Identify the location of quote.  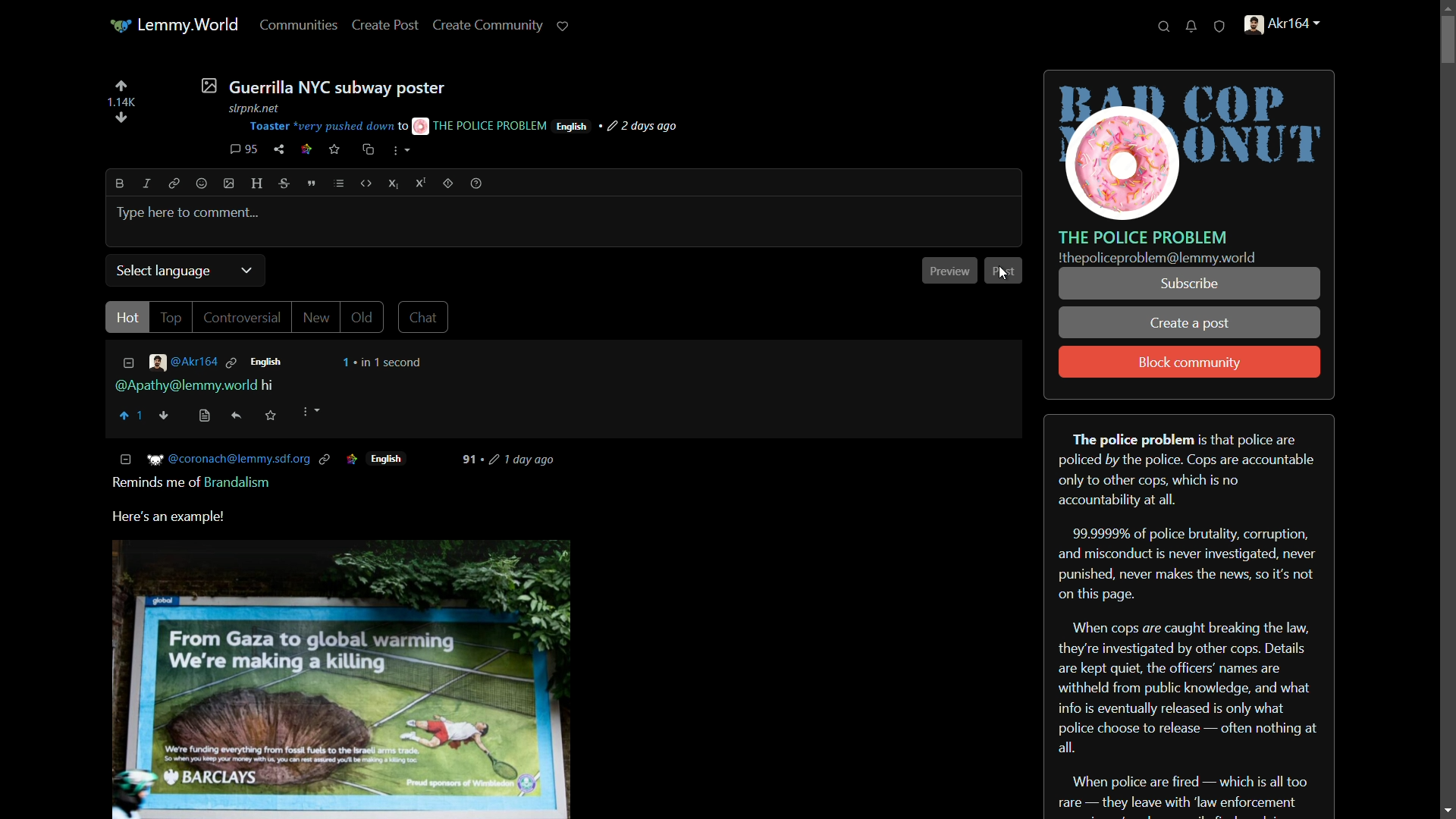
(312, 184).